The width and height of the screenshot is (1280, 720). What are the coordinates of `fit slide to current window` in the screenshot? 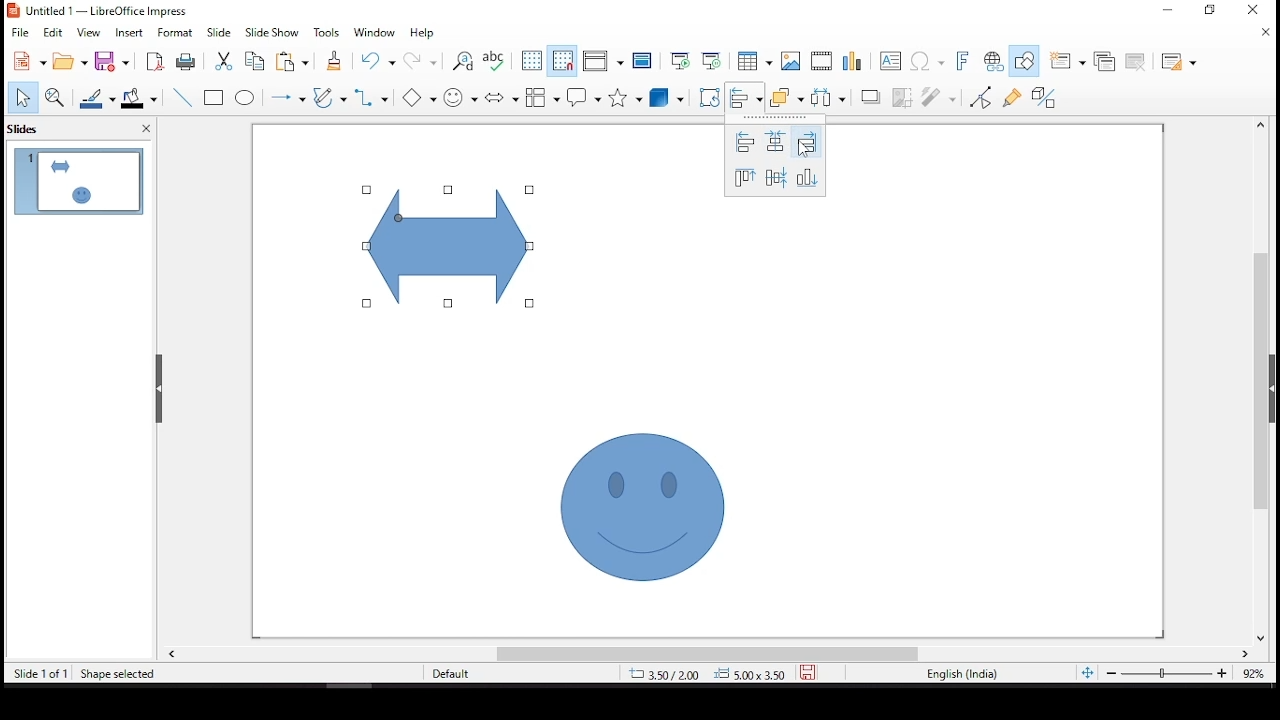 It's located at (1085, 672).